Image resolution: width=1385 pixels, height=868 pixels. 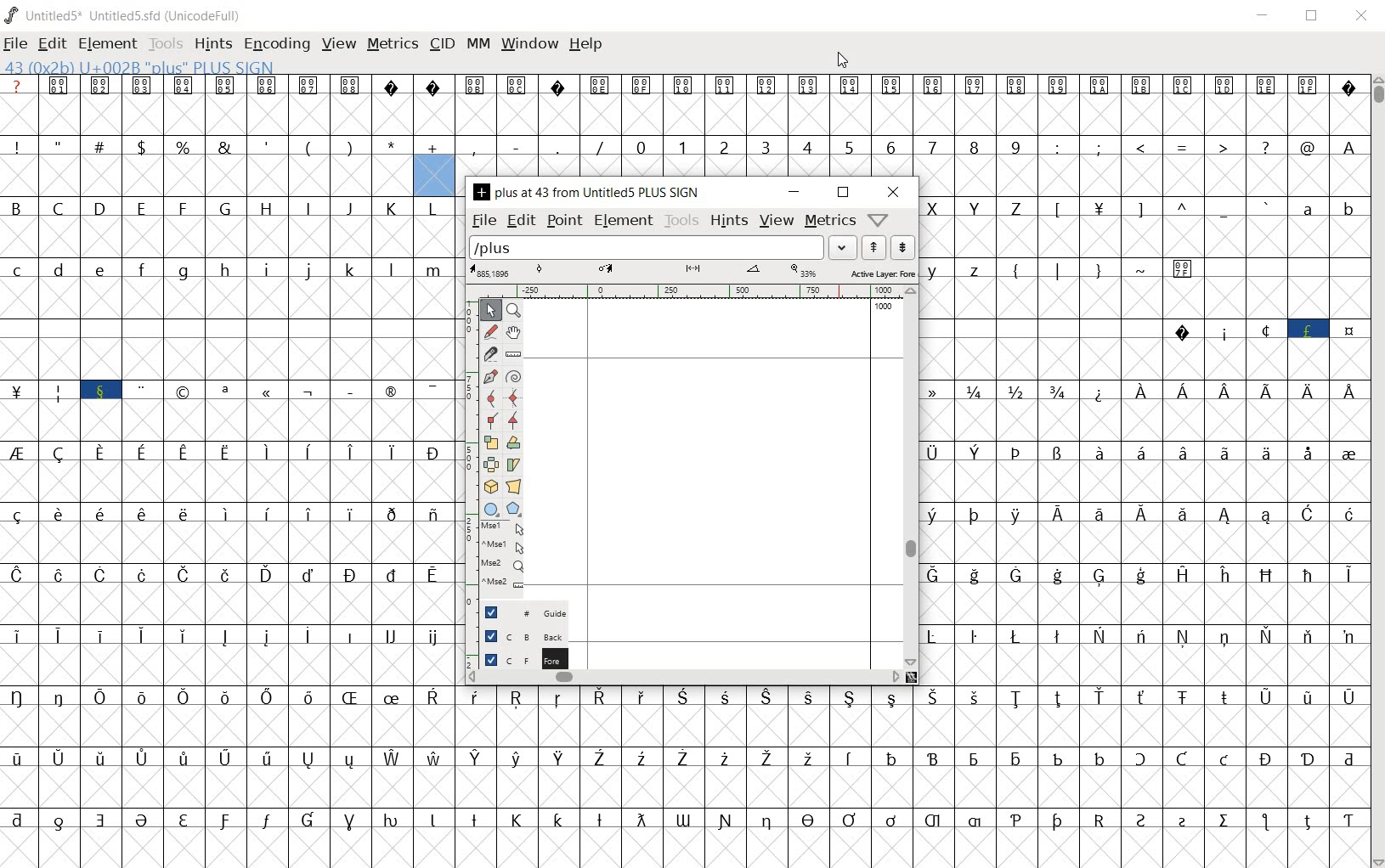 What do you see at coordinates (589, 194) in the screenshot?
I see `PLUS AT 43 FROM UNTITLED5 PLUS SIGN` at bounding box center [589, 194].